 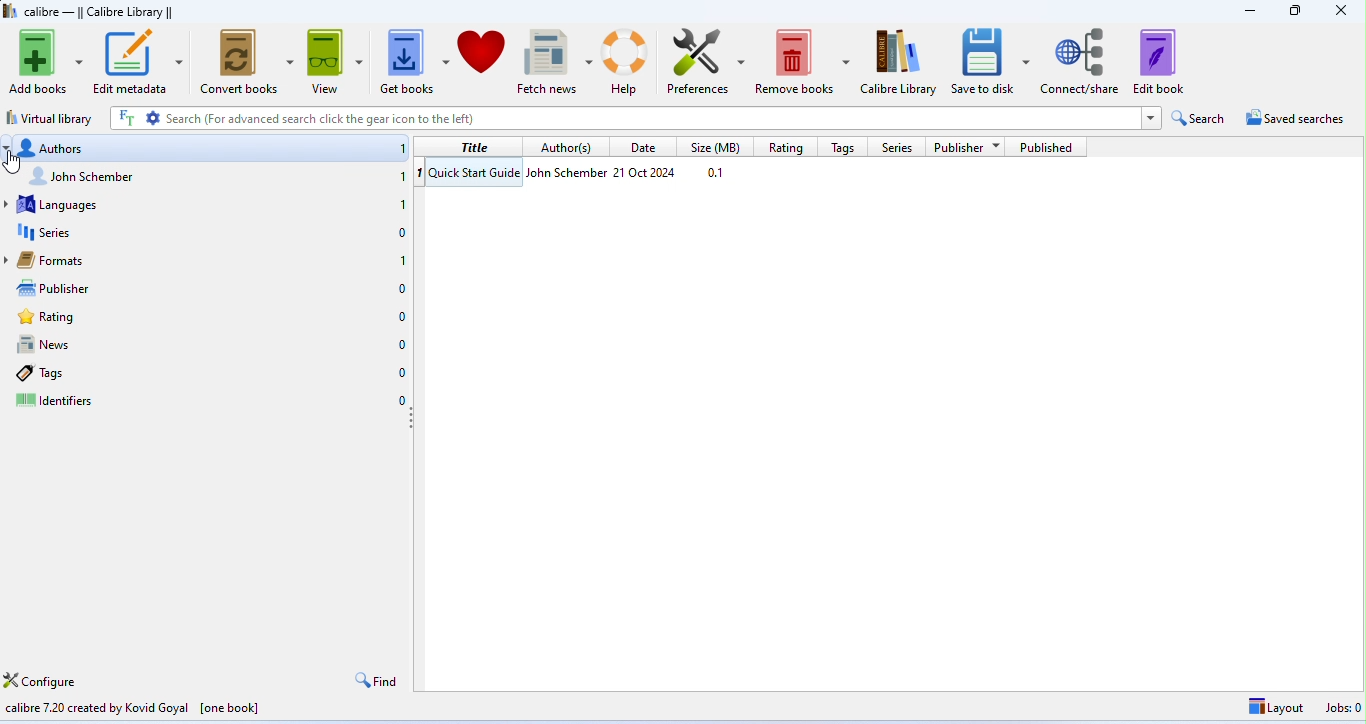 I want to click on publisher, so click(x=216, y=290).